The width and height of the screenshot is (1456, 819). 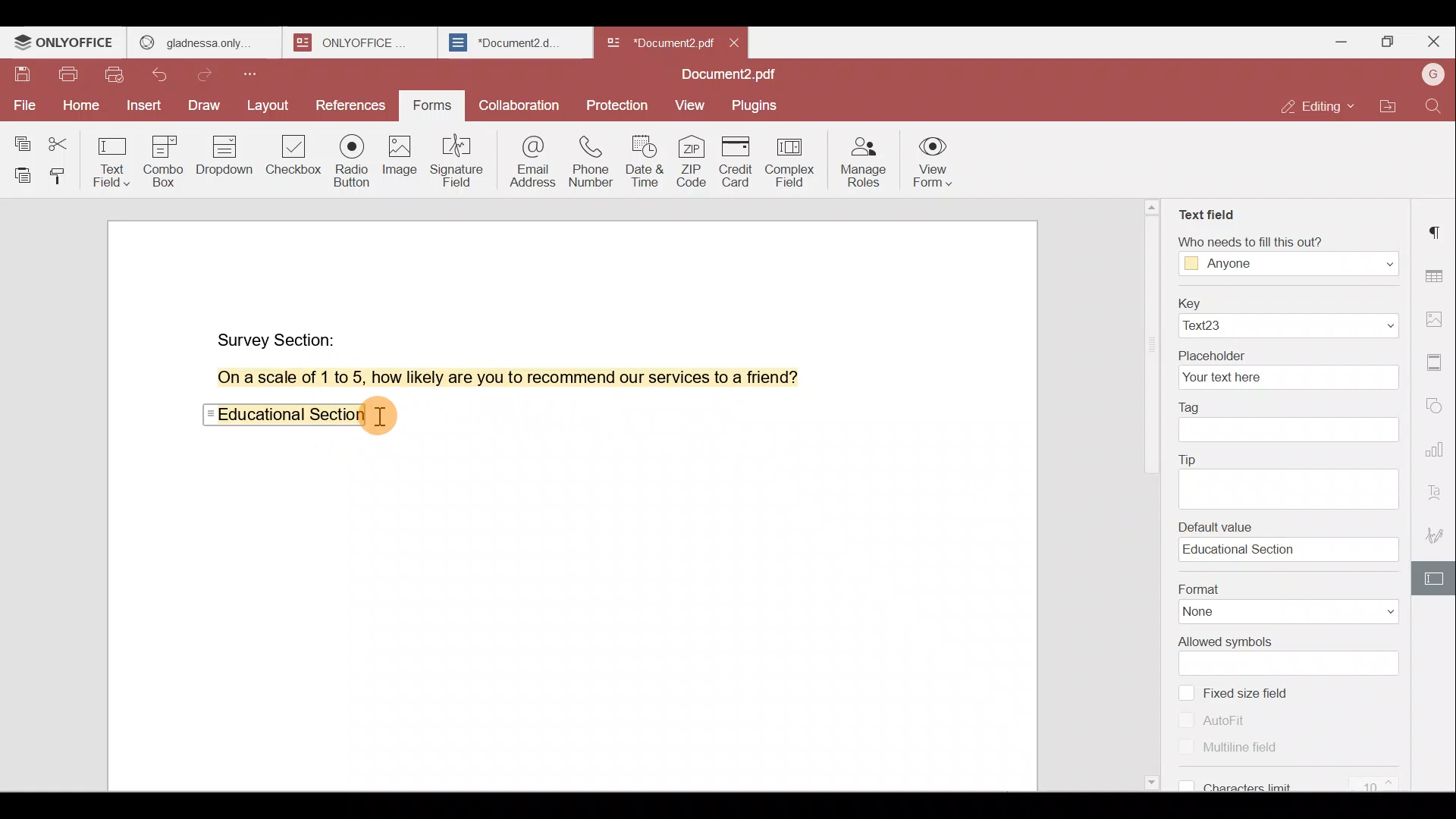 What do you see at coordinates (1223, 745) in the screenshot?
I see `Multiline field` at bounding box center [1223, 745].